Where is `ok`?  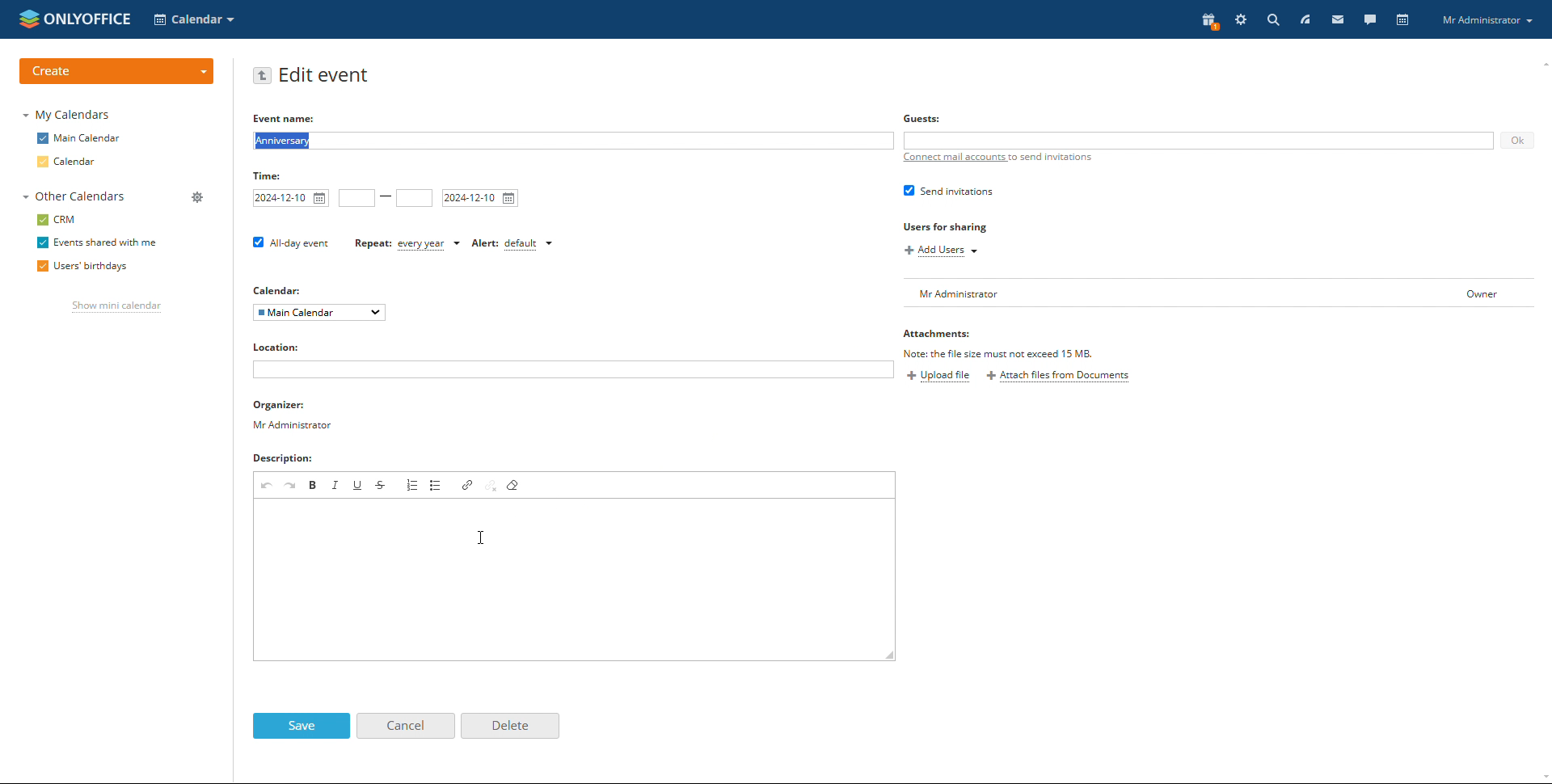 ok is located at coordinates (1517, 140).